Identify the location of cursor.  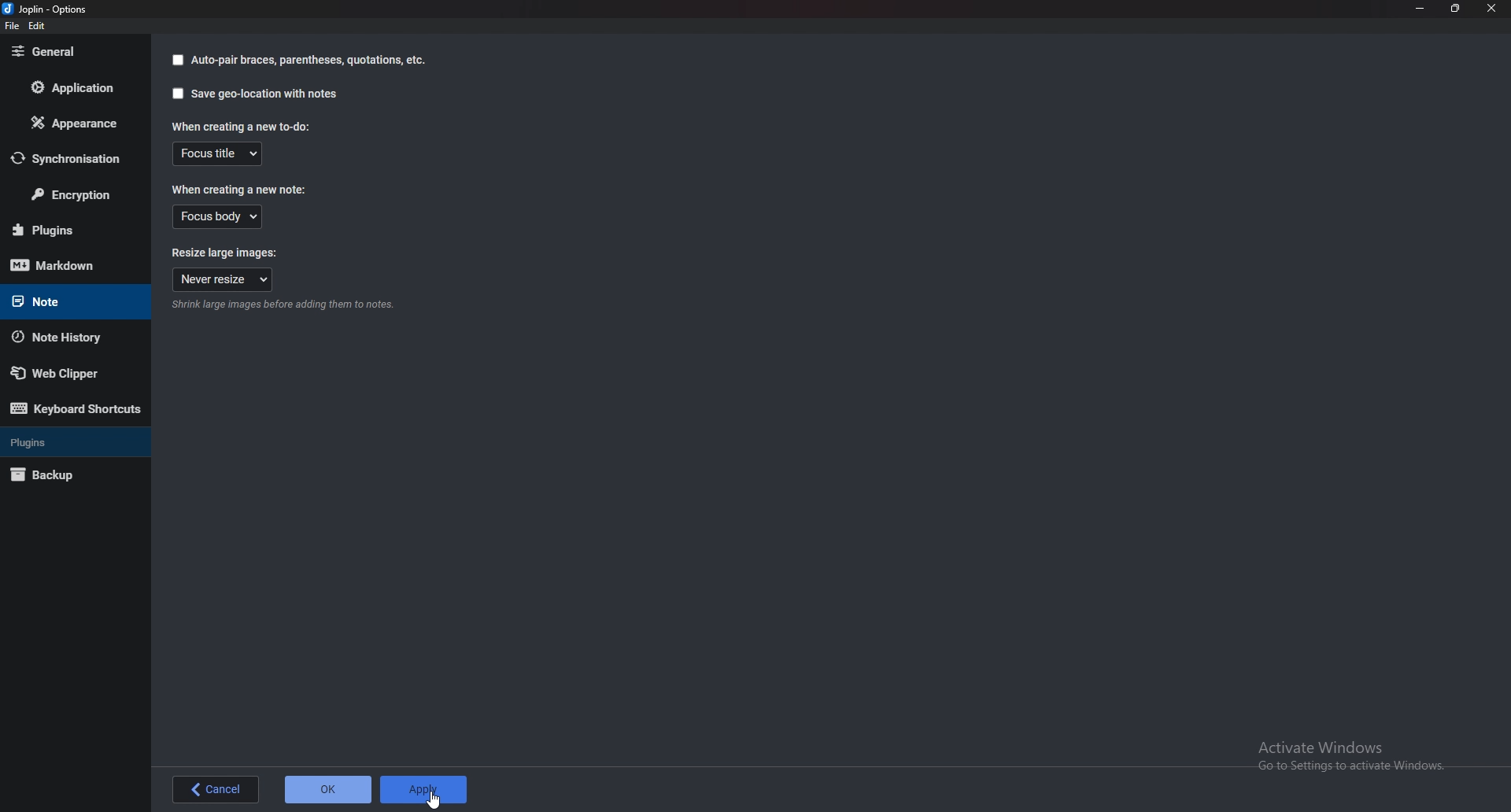
(434, 799).